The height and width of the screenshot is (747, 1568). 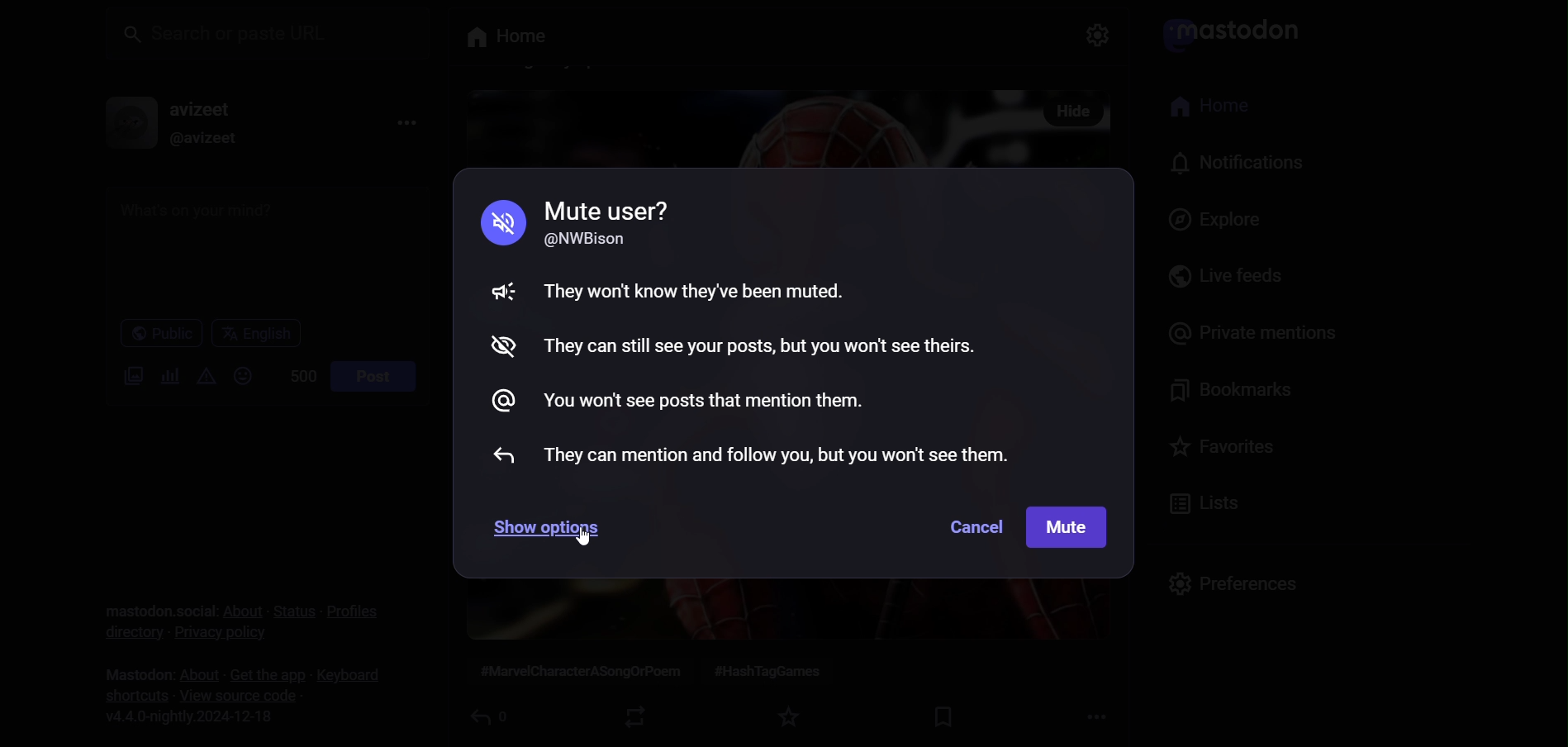 What do you see at coordinates (765, 334) in the screenshot?
I see `mute information` at bounding box center [765, 334].